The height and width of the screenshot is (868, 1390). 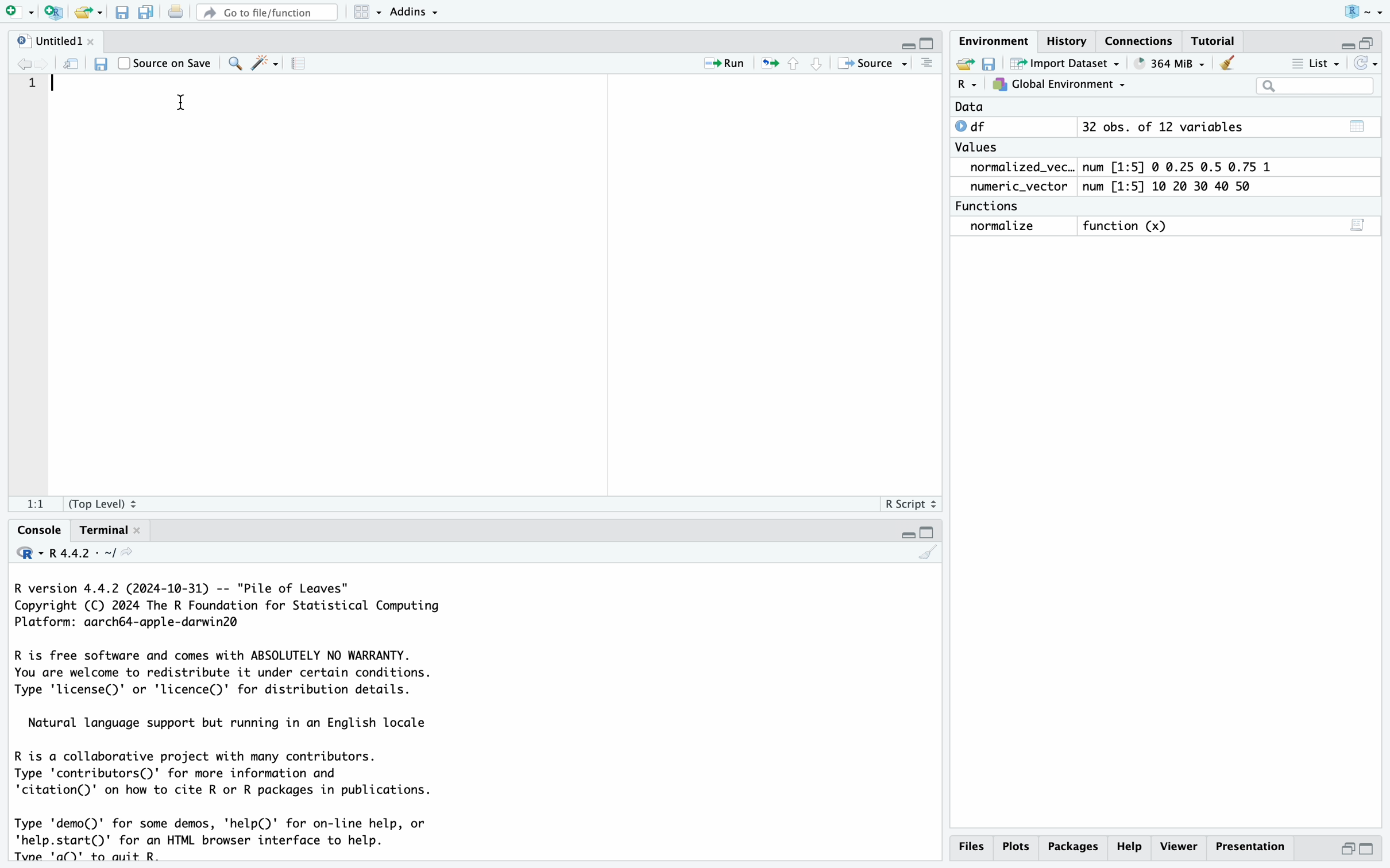 What do you see at coordinates (1367, 63) in the screenshot?
I see `Refresh` at bounding box center [1367, 63].